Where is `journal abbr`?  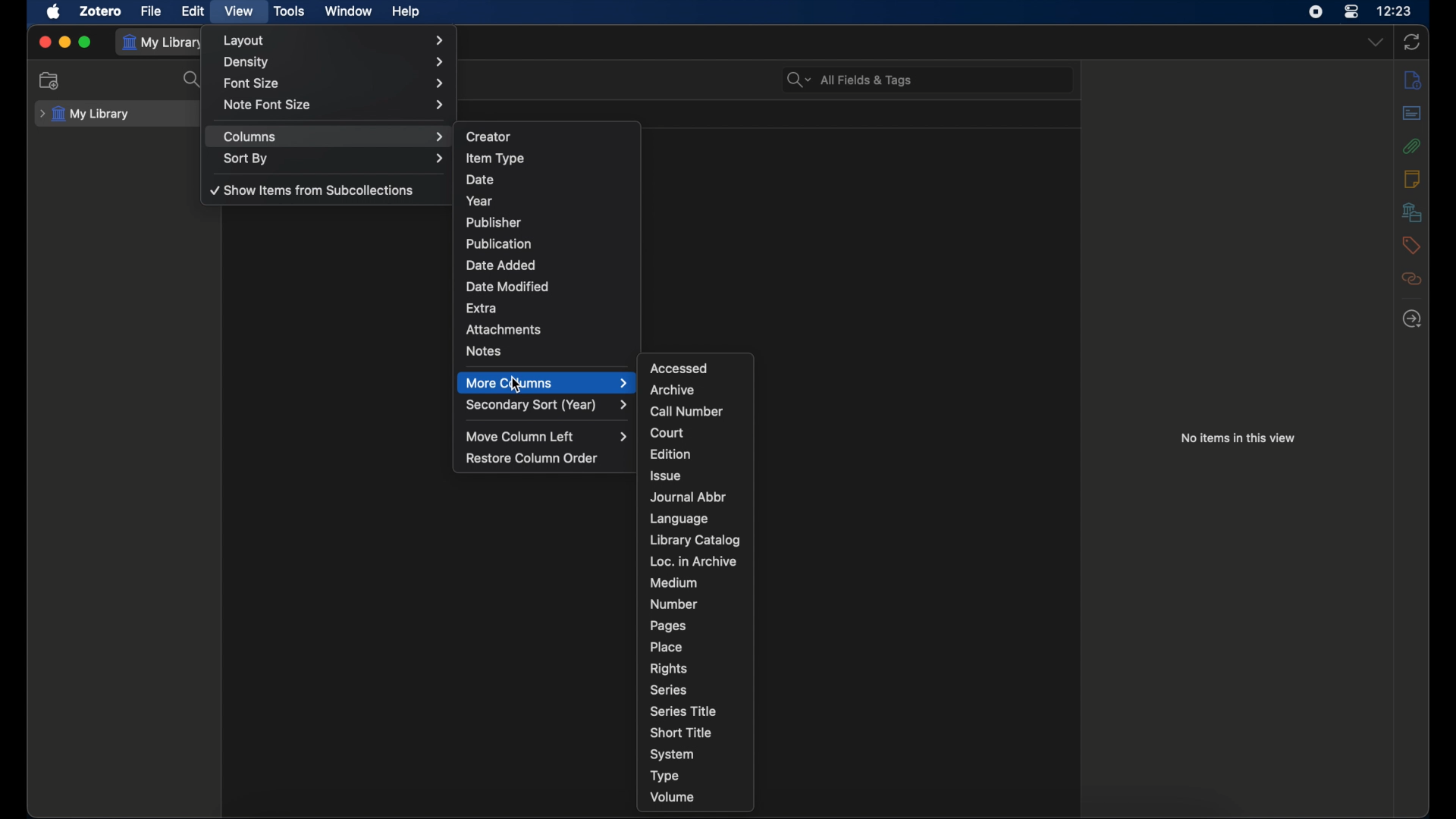 journal abbr is located at coordinates (688, 498).